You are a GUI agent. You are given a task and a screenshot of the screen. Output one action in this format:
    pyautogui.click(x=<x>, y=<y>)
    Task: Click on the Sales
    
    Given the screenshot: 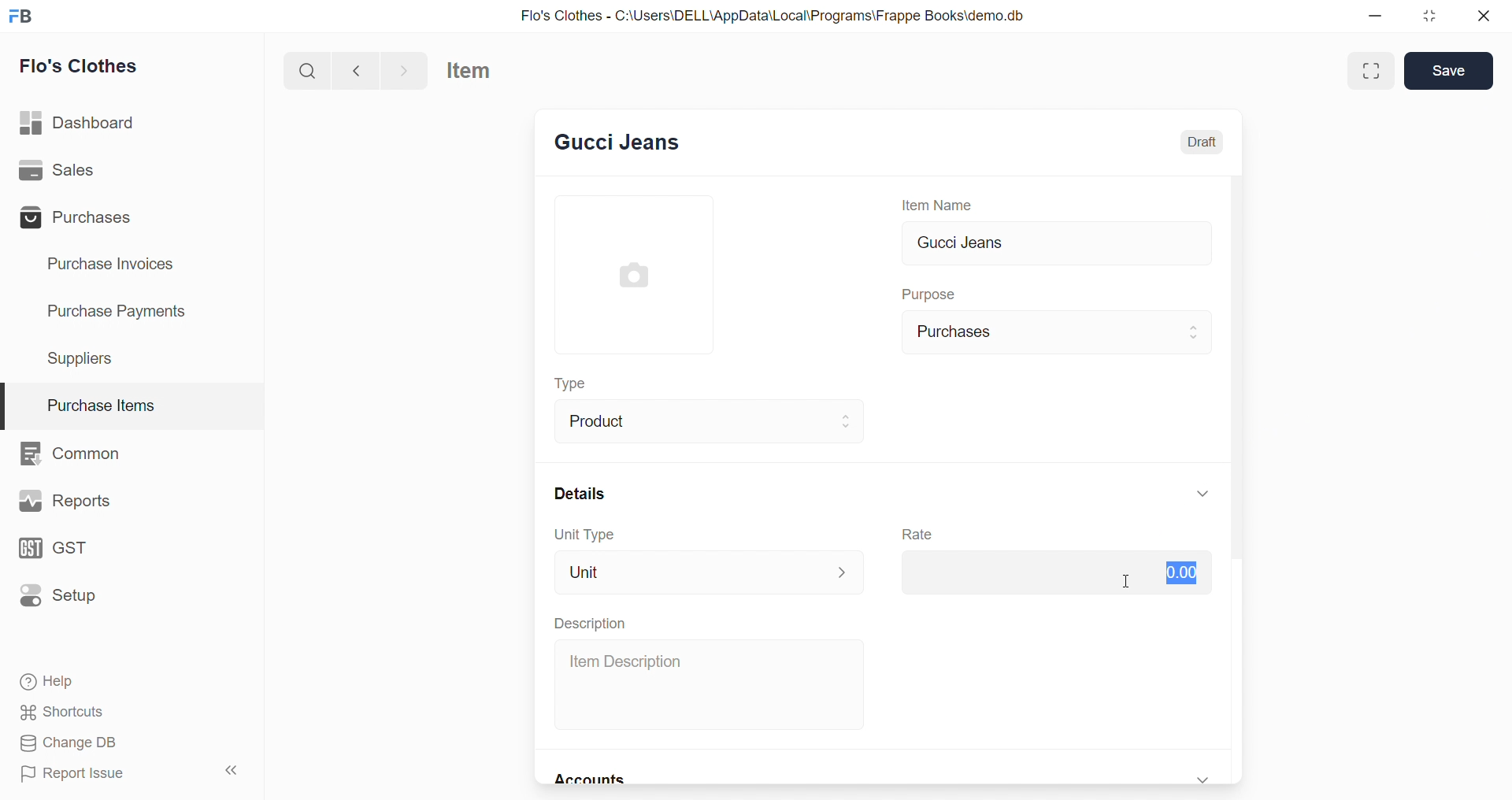 What is the action you would take?
    pyautogui.click(x=81, y=171)
    